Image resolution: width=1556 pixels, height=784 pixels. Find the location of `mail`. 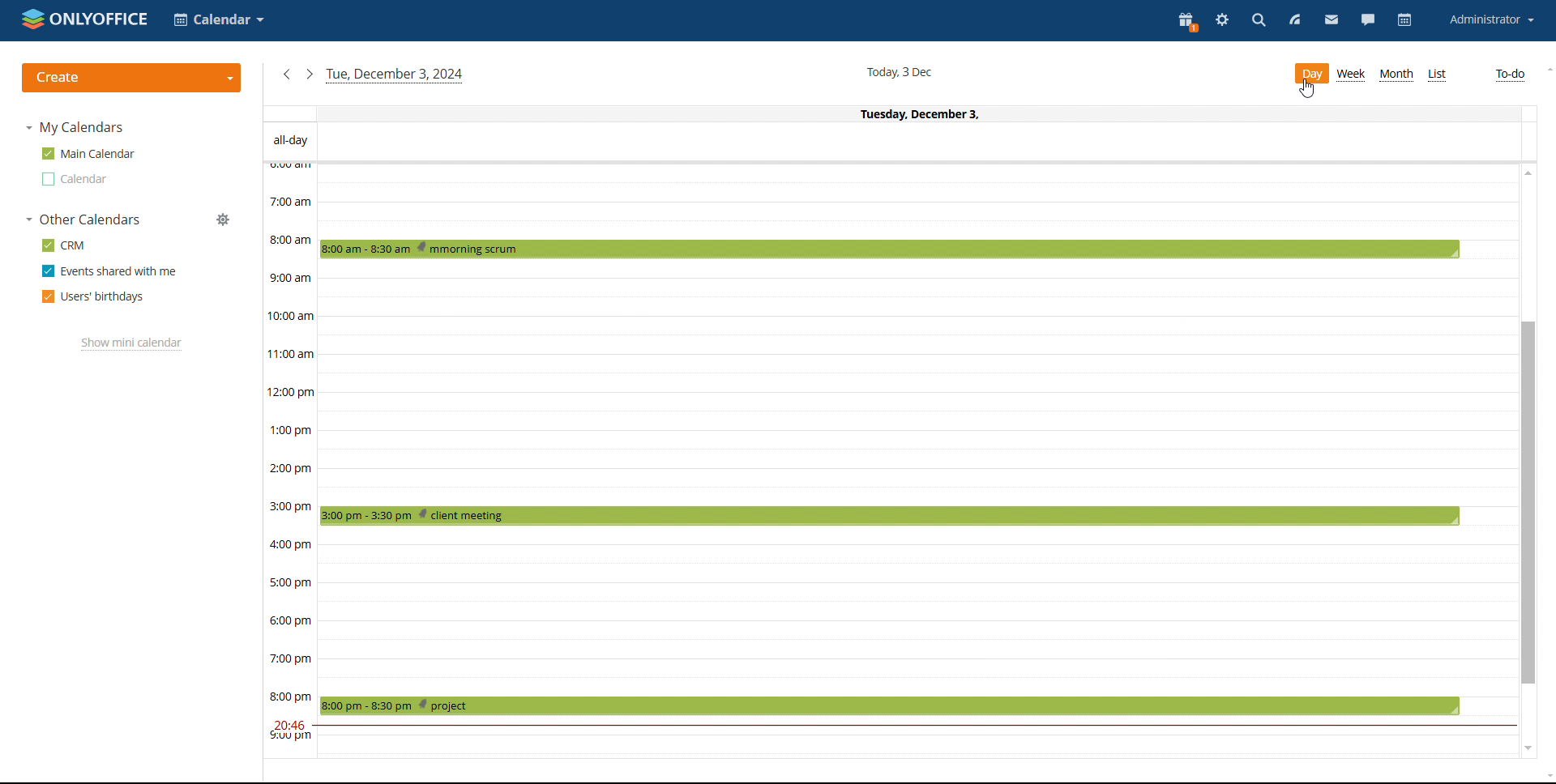

mail is located at coordinates (1331, 20).